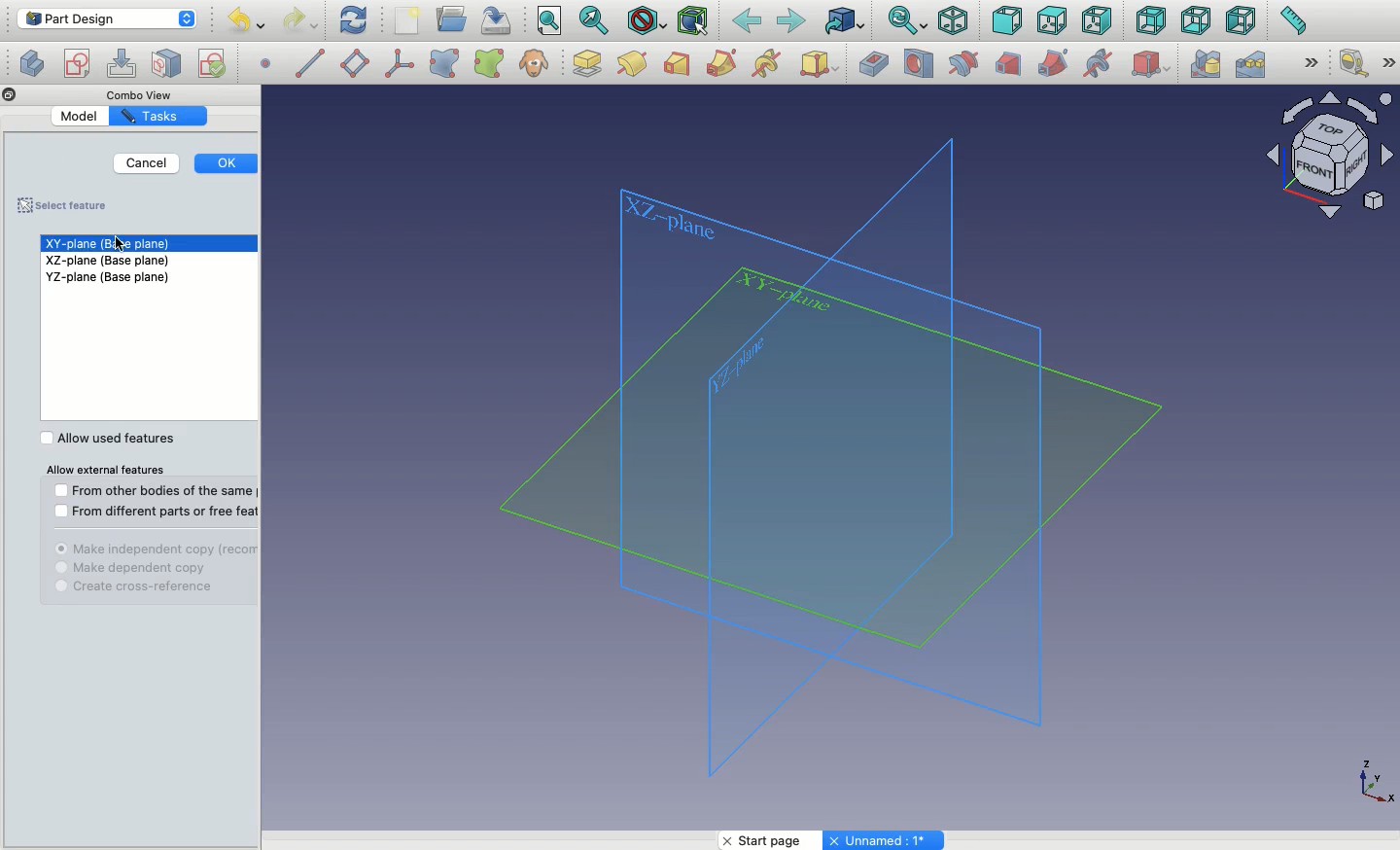 Image resolution: width=1400 pixels, height=850 pixels. I want to click on Expand, so click(1313, 62).